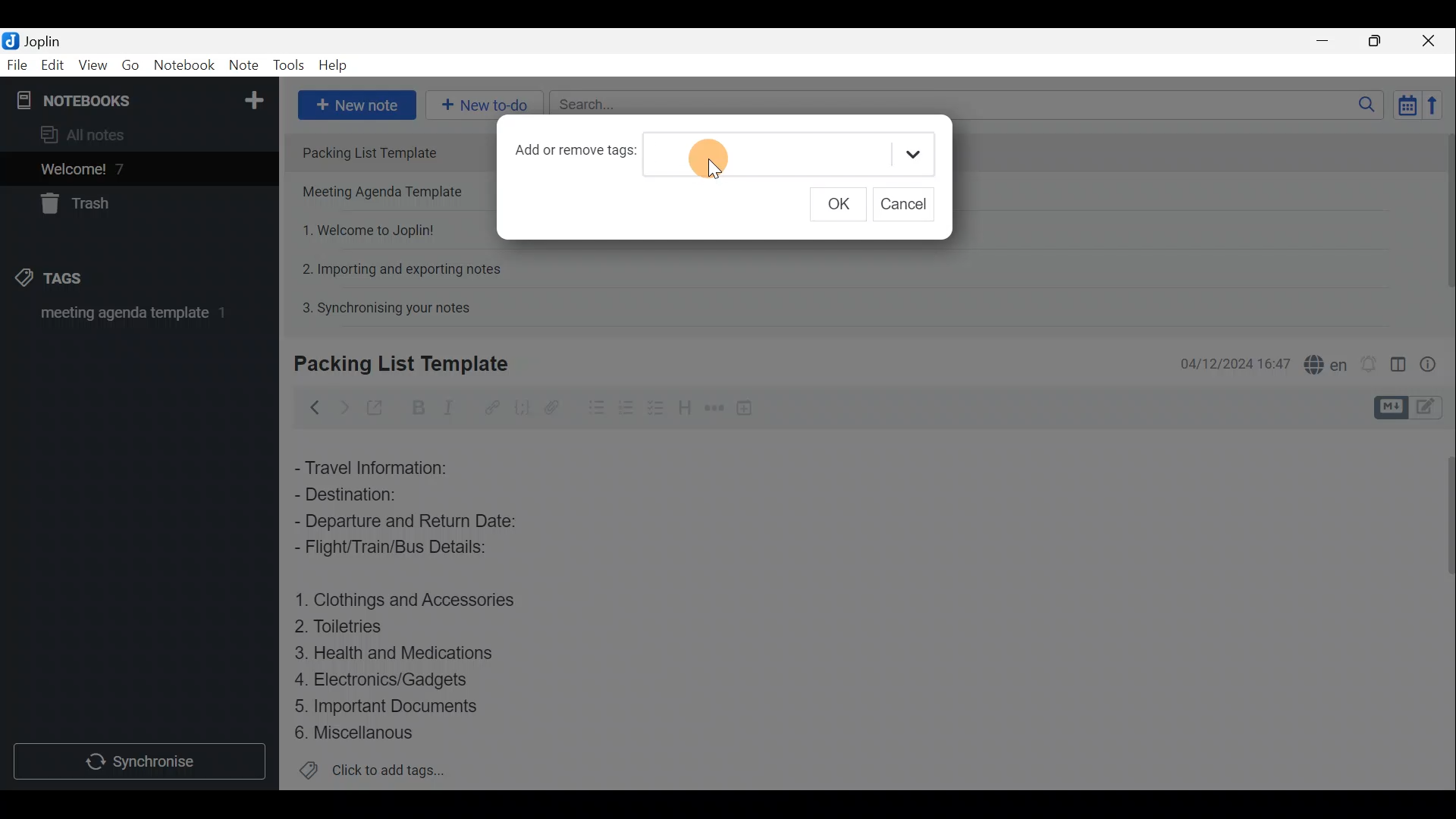 This screenshot has width=1456, height=819. Describe the element at coordinates (372, 770) in the screenshot. I see `Click to add tags` at that location.